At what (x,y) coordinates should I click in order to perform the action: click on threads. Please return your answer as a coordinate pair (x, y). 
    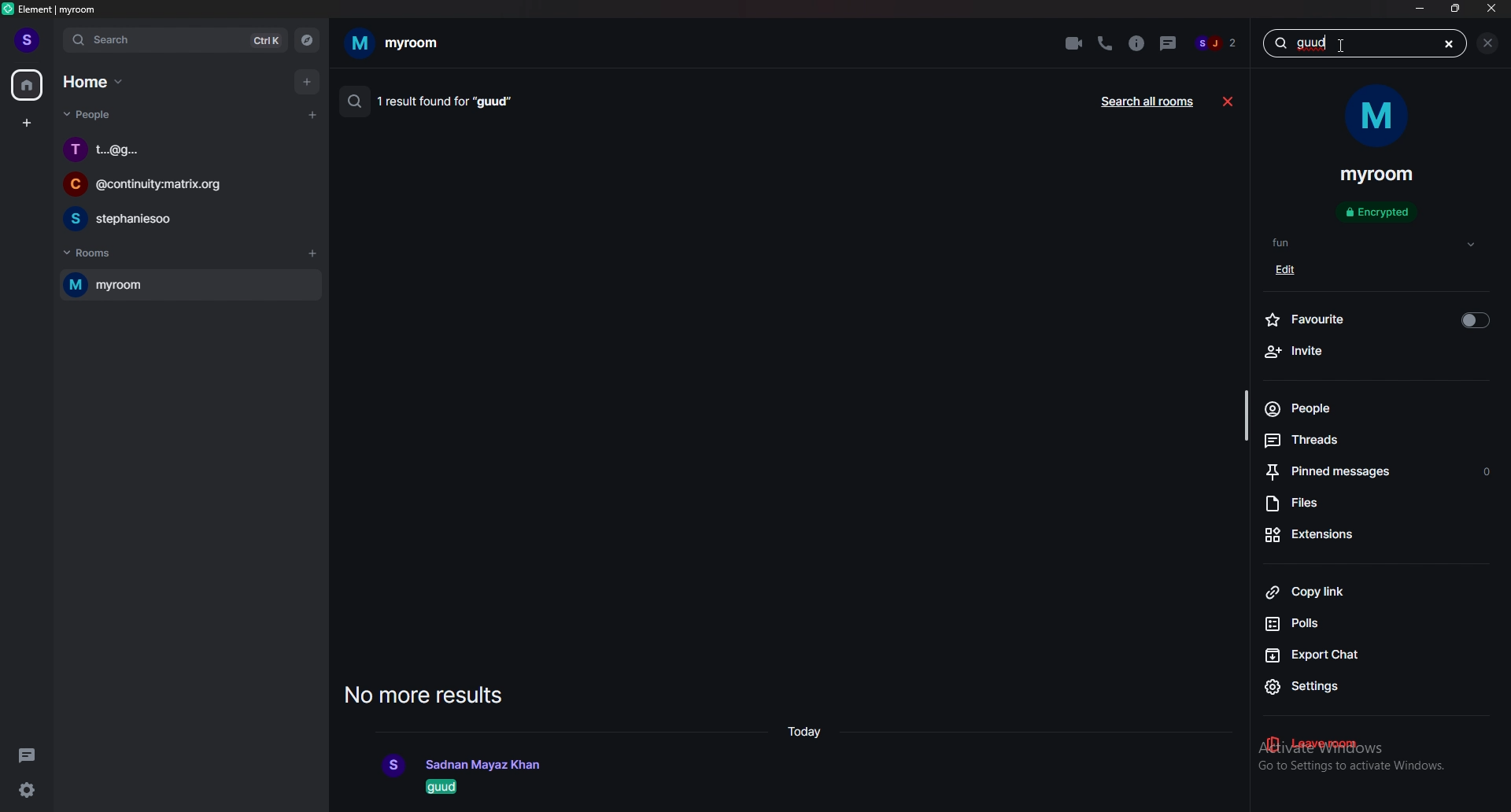
    Looking at the image, I should click on (30, 755).